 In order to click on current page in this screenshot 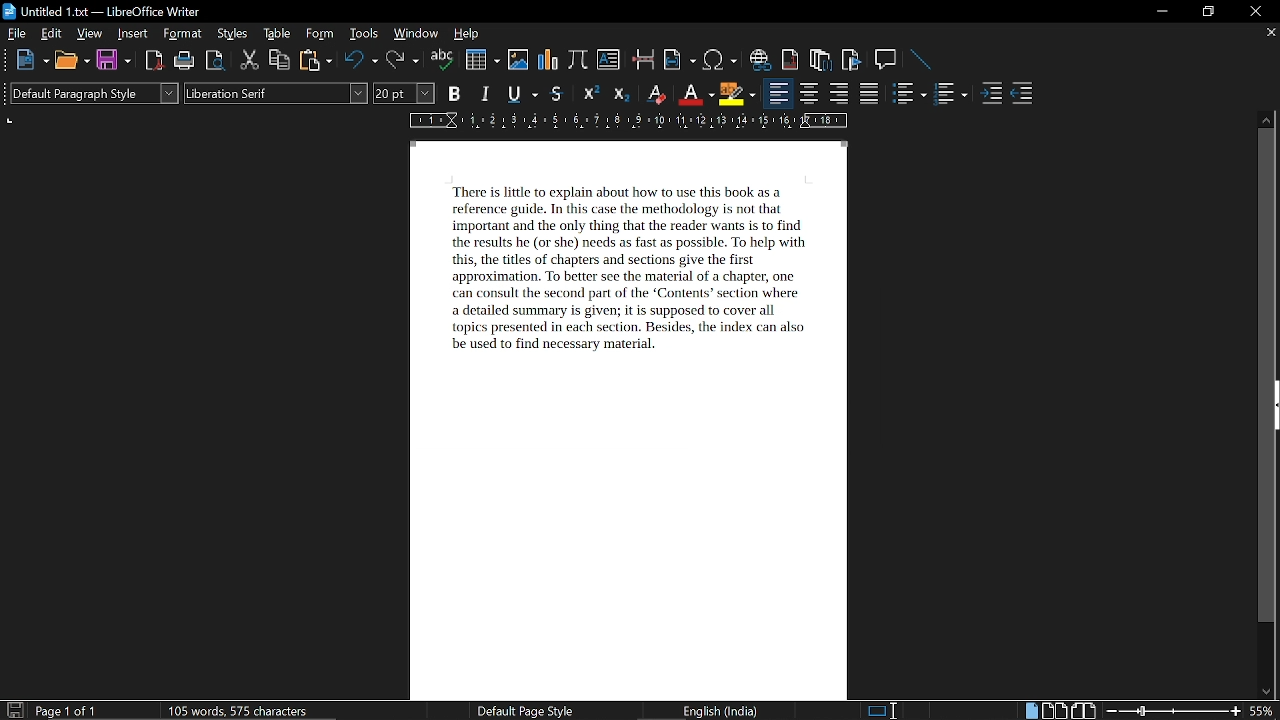, I will do `click(66, 711)`.